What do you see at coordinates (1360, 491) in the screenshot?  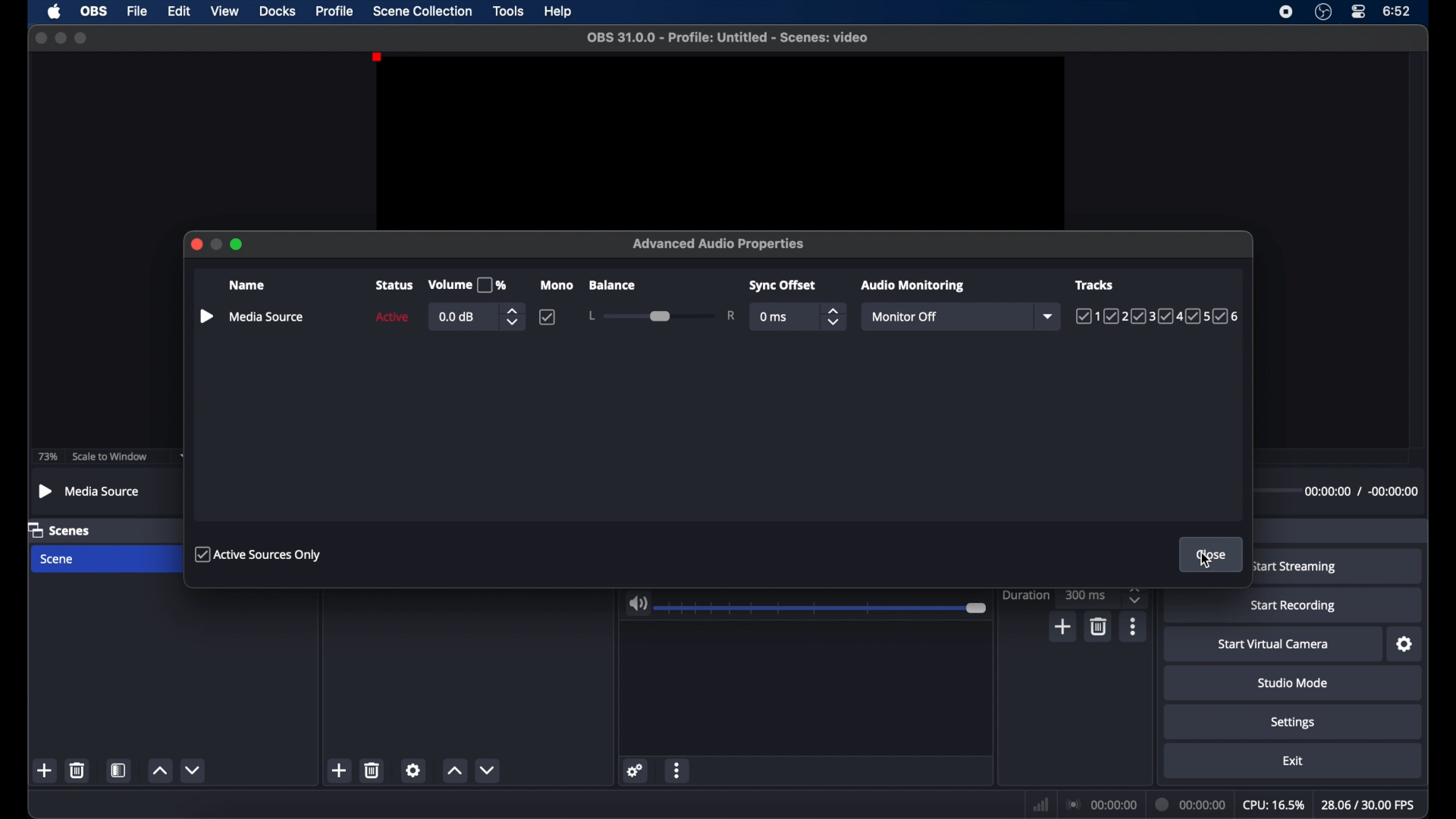 I see `timestamps` at bounding box center [1360, 491].